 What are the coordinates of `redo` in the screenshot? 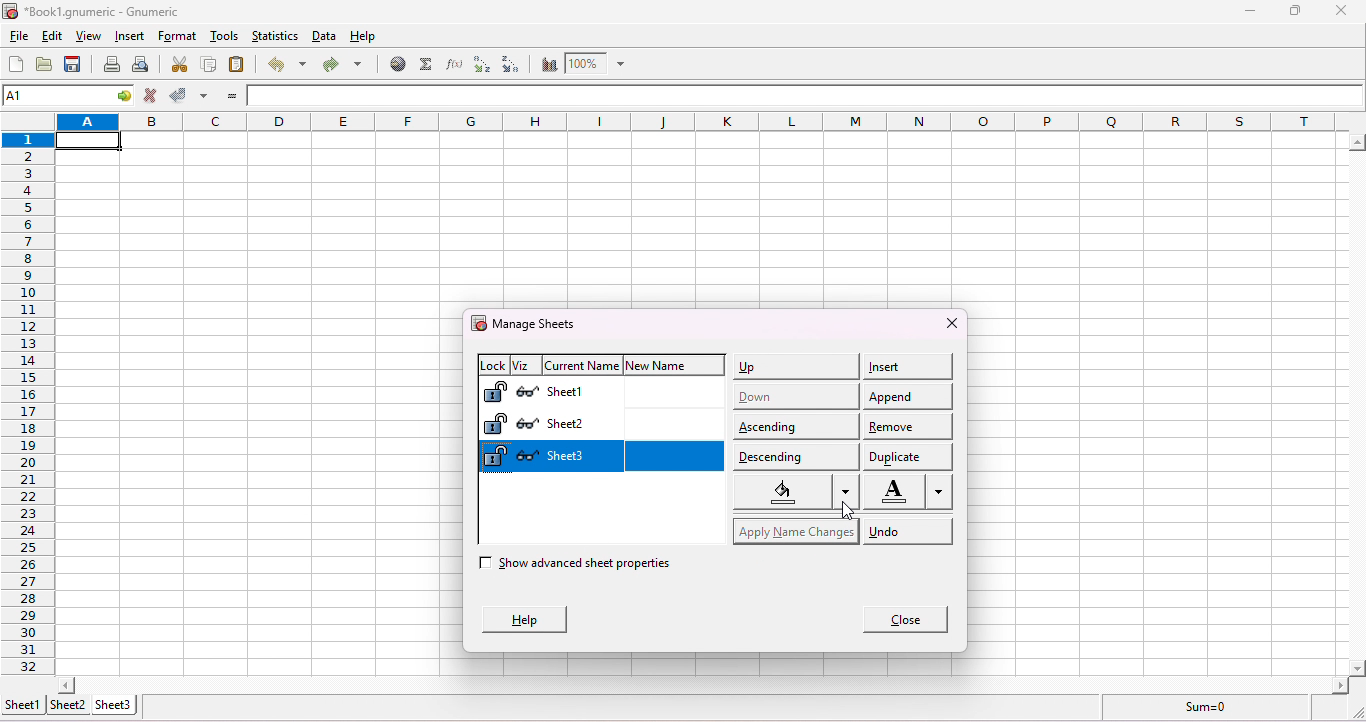 It's located at (342, 61).